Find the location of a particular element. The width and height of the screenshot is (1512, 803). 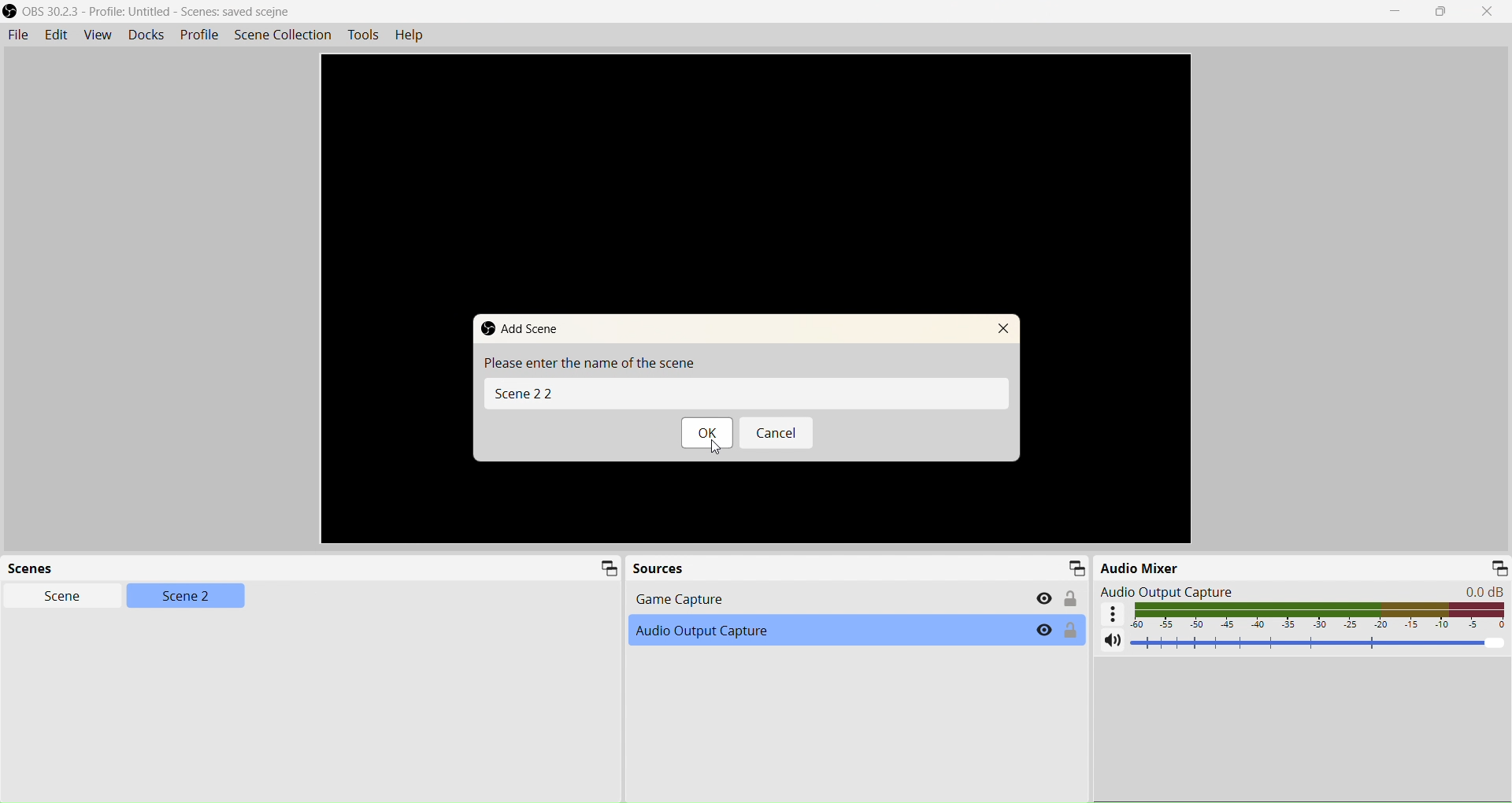

Tools is located at coordinates (363, 35).